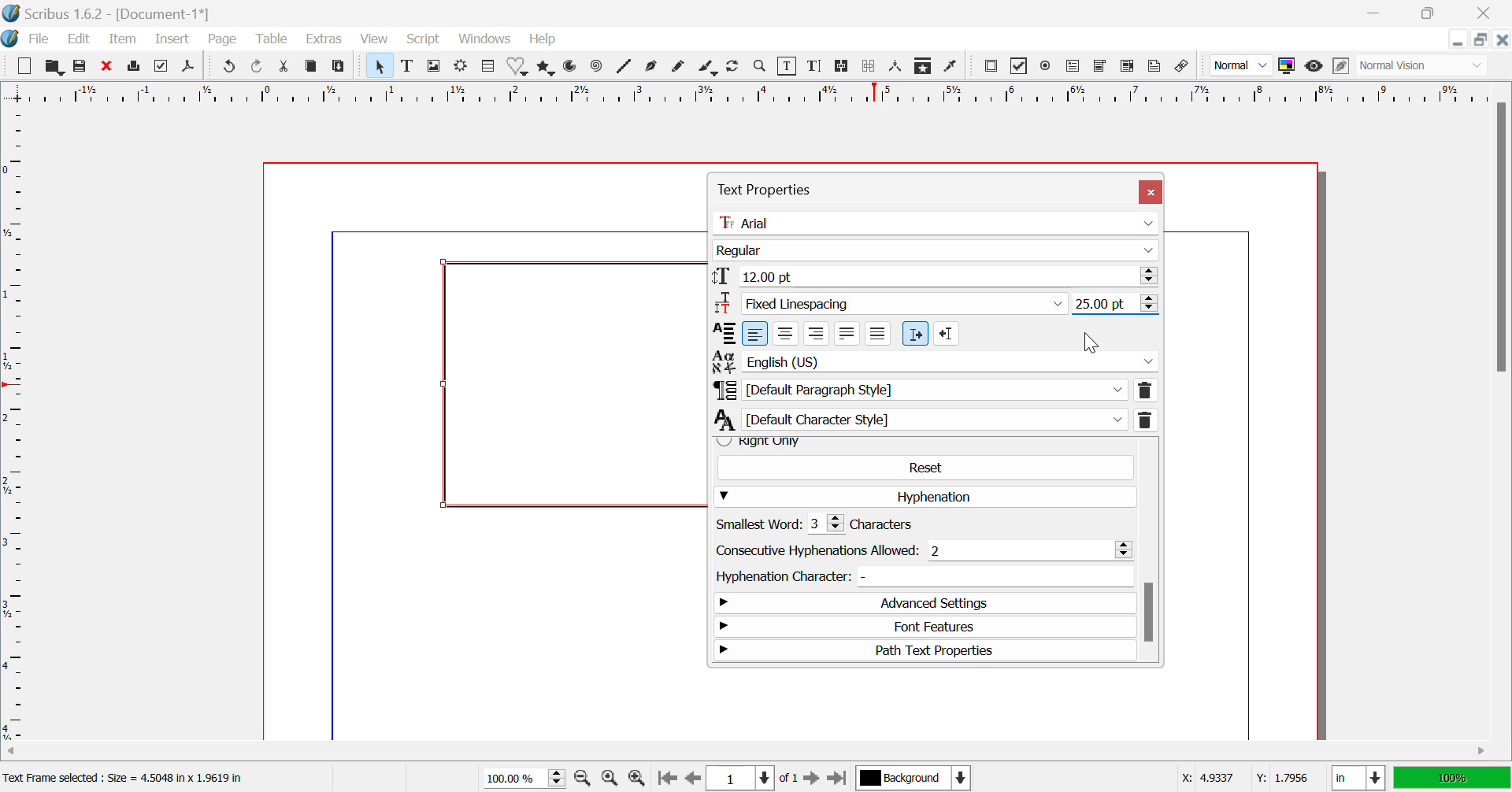  I want to click on Pdf Radio button, so click(1048, 66).